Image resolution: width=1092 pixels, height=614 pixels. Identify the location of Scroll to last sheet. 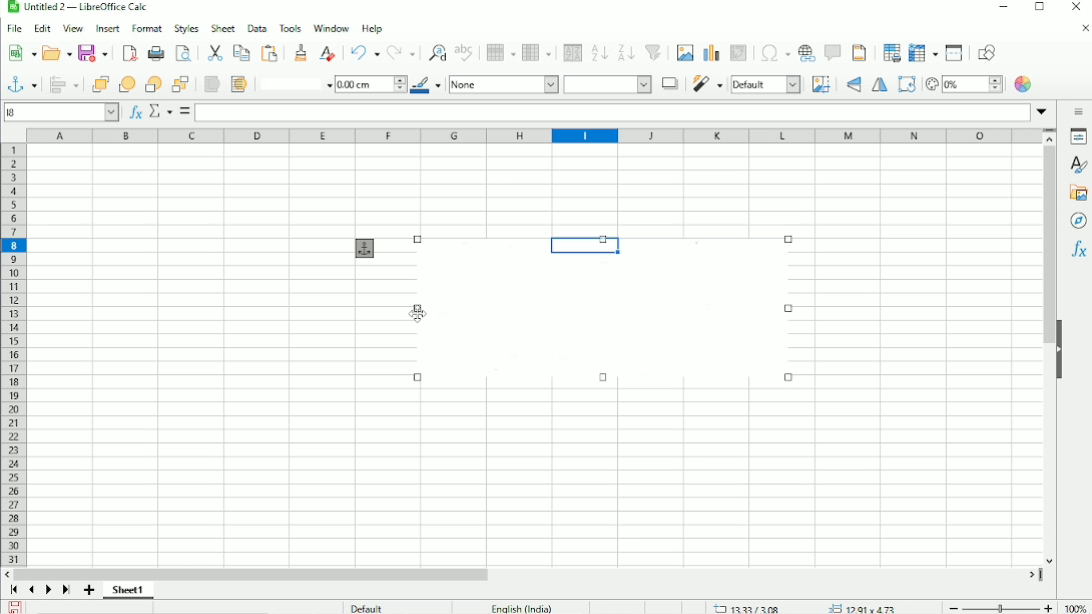
(66, 591).